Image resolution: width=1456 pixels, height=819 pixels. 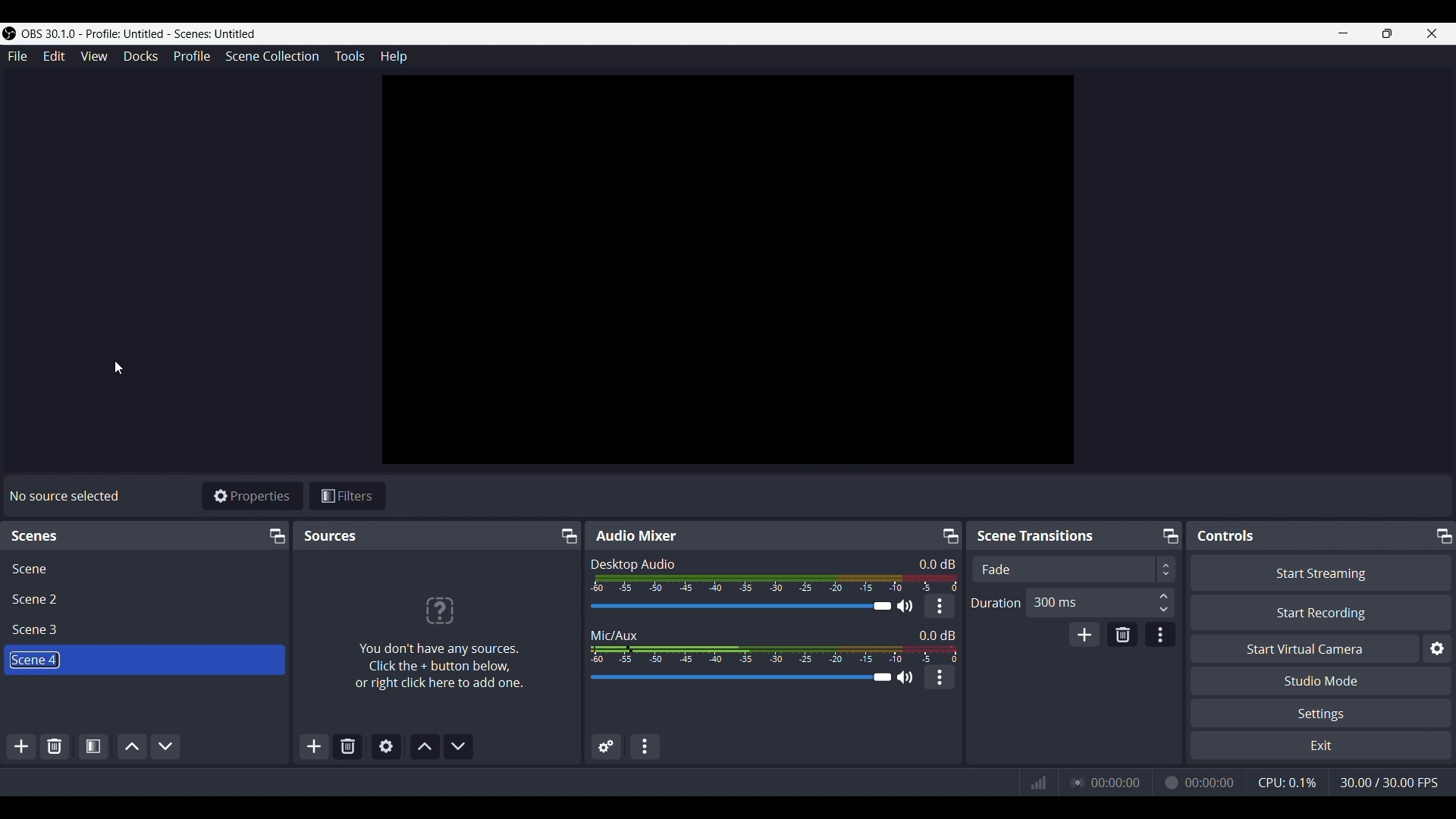 What do you see at coordinates (1159, 635) in the screenshot?
I see `Transition properties` at bounding box center [1159, 635].